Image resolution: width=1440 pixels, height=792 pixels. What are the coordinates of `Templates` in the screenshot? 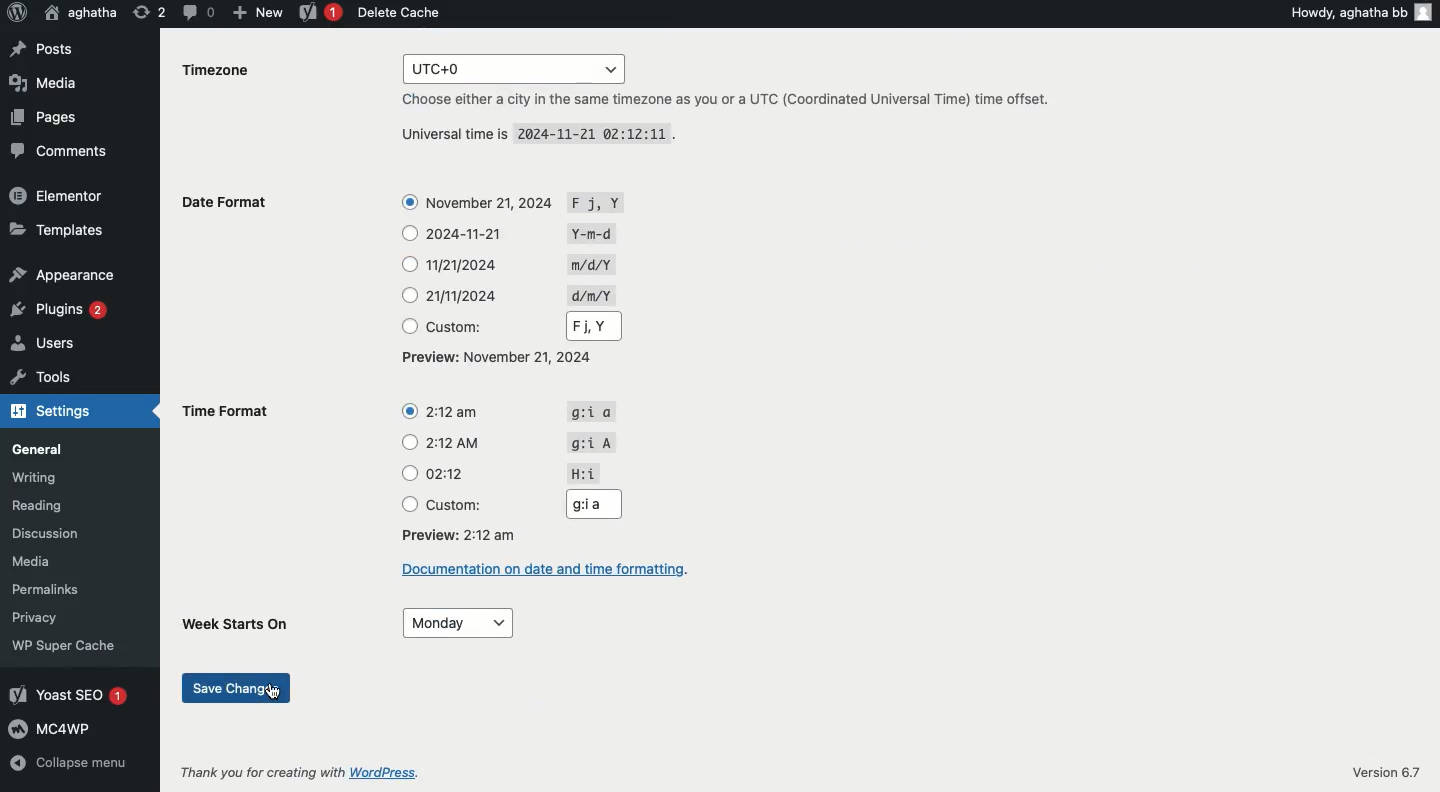 It's located at (52, 229).